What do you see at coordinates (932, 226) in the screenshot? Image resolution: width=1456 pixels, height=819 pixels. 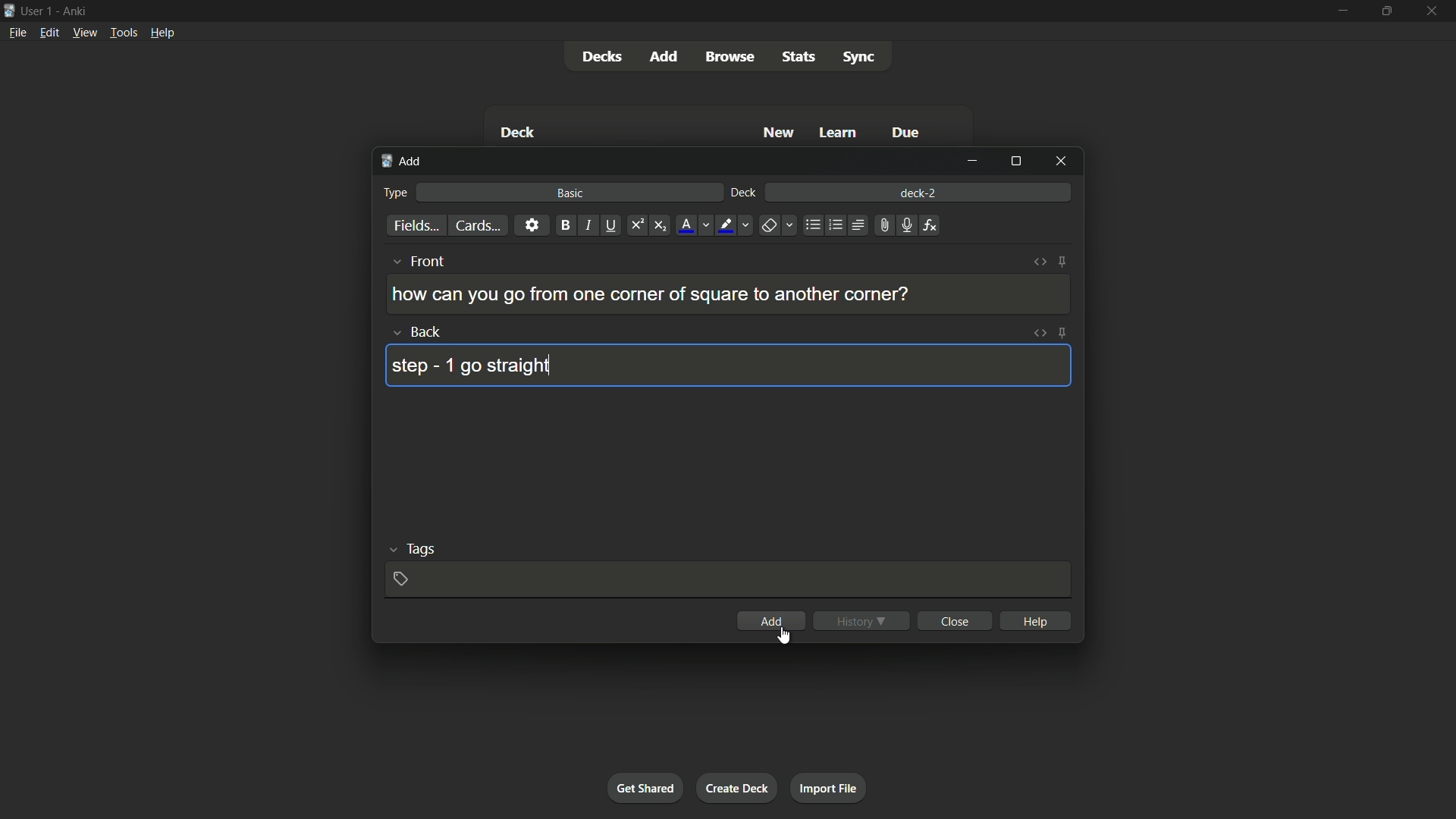 I see `equations` at bounding box center [932, 226].